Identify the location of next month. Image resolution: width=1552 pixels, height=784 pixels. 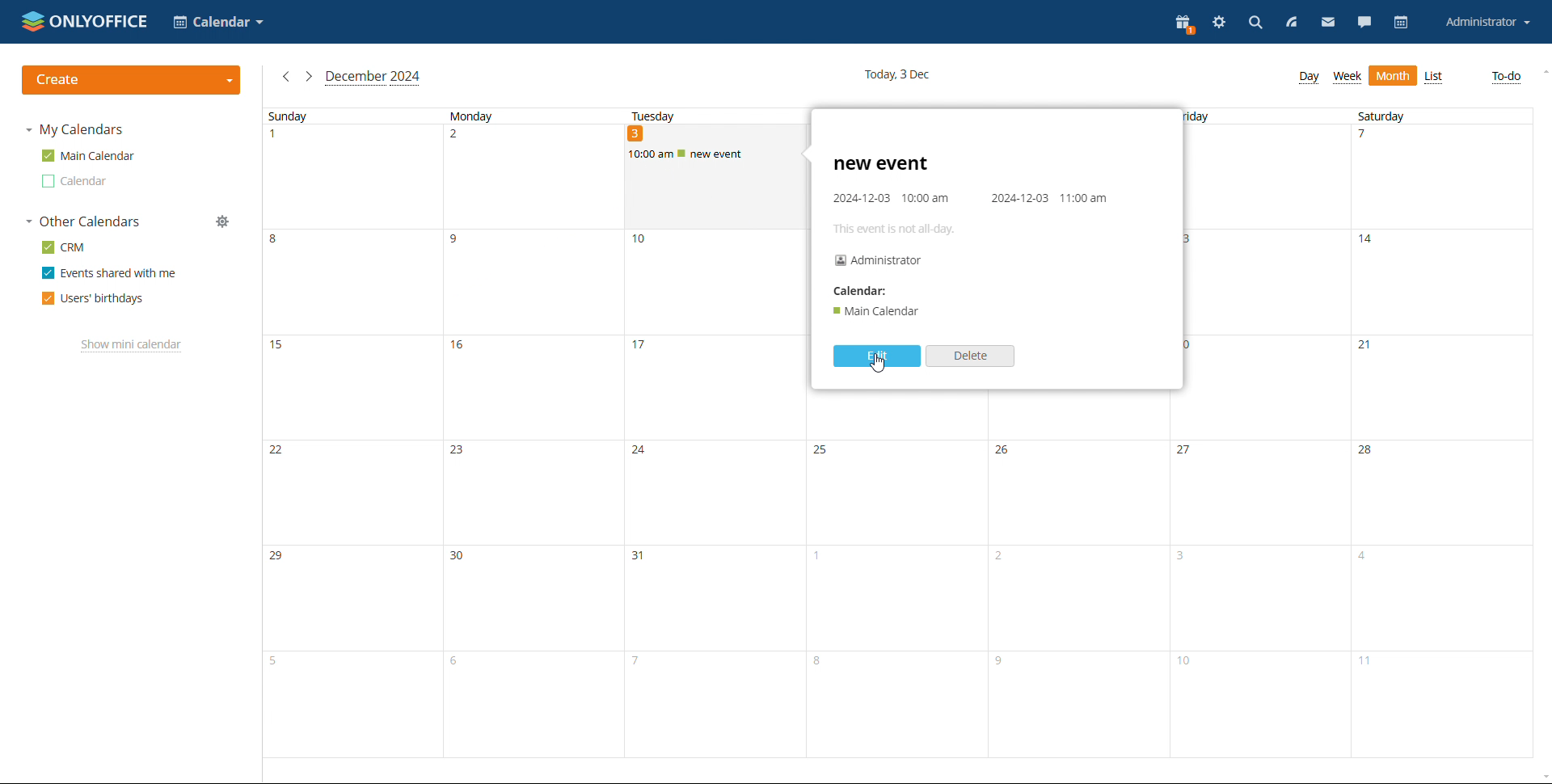
(309, 77).